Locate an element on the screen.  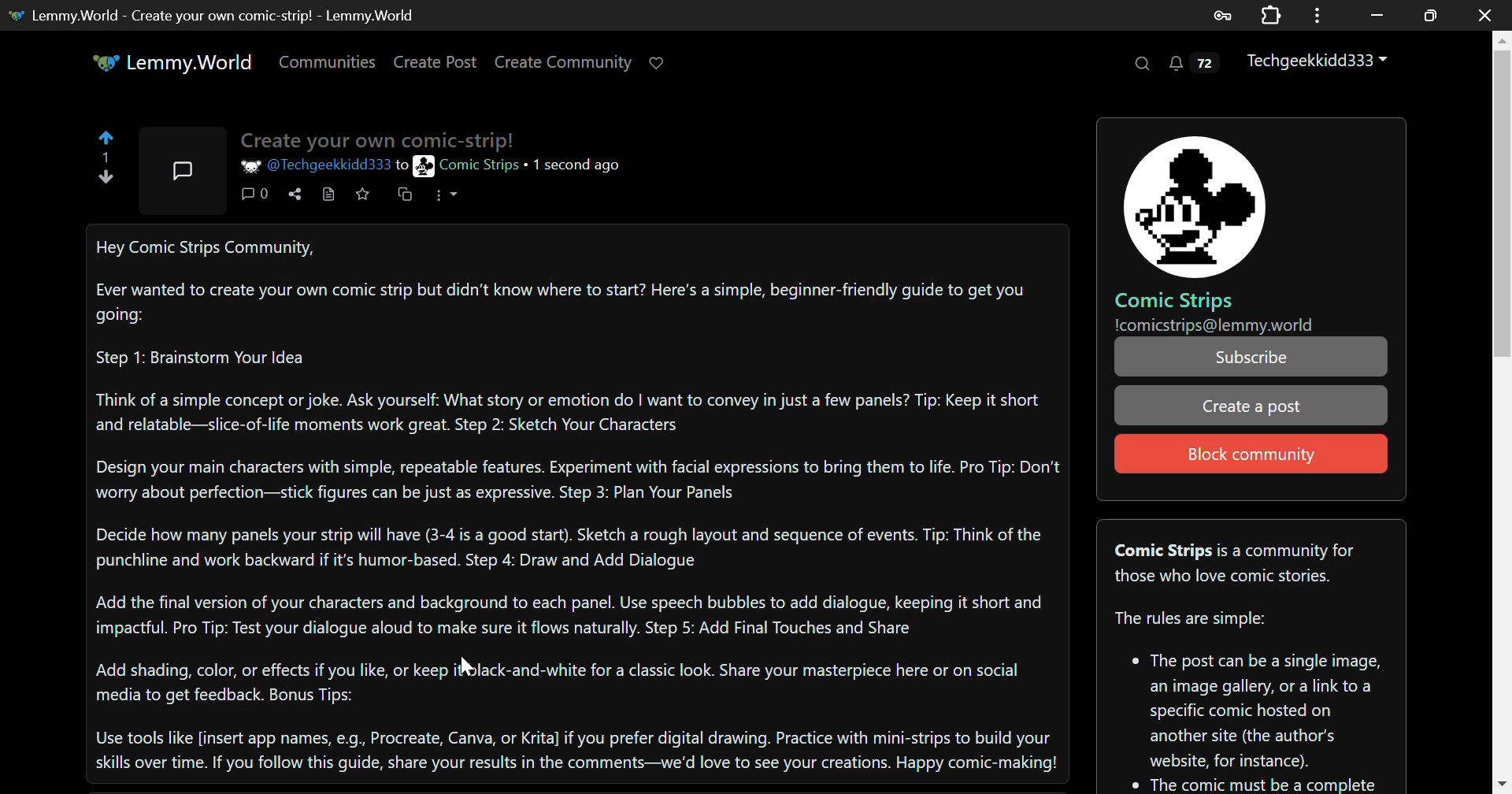
Minimize is located at coordinates (1433, 15).